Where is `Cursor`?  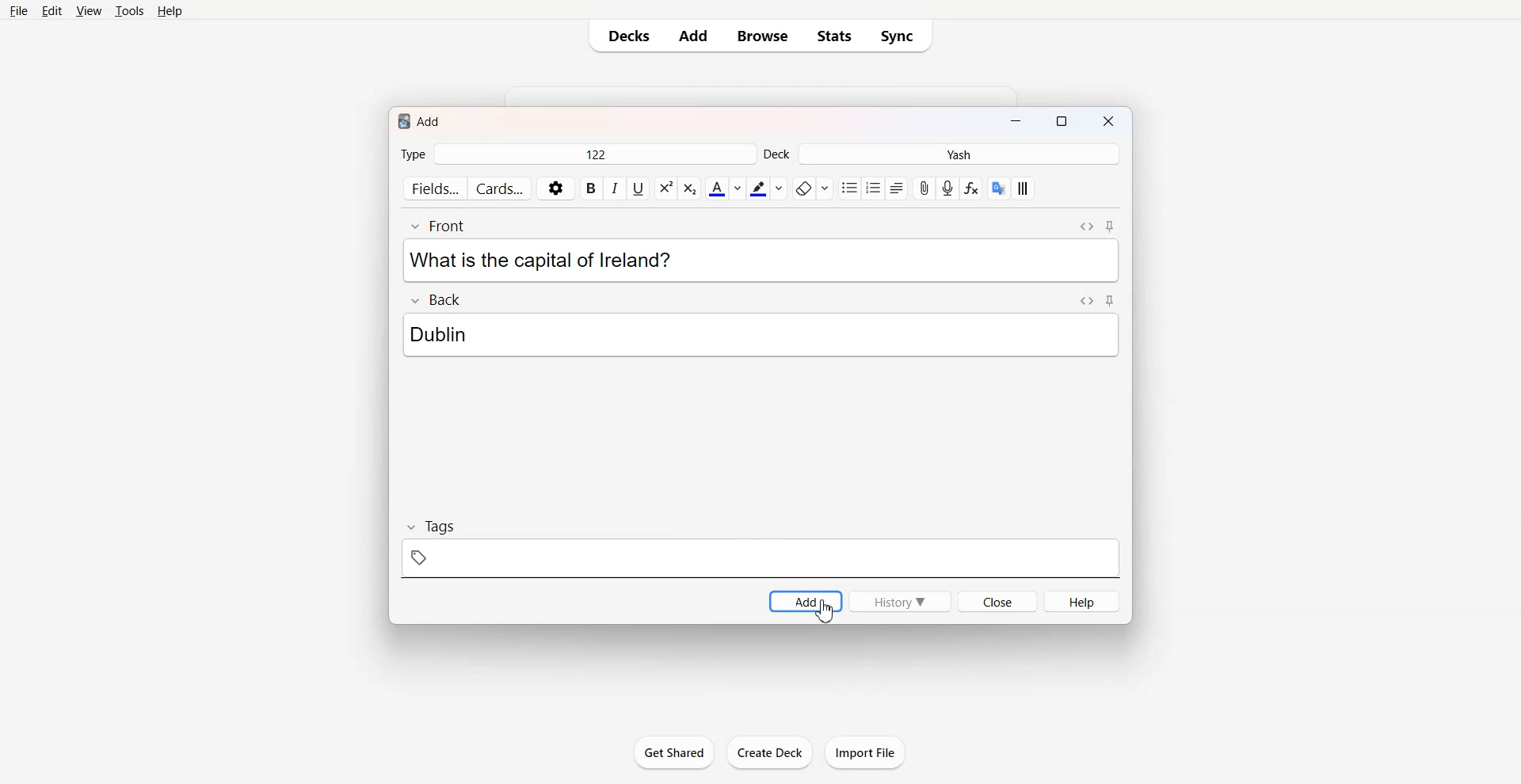 Cursor is located at coordinates (823, 611).